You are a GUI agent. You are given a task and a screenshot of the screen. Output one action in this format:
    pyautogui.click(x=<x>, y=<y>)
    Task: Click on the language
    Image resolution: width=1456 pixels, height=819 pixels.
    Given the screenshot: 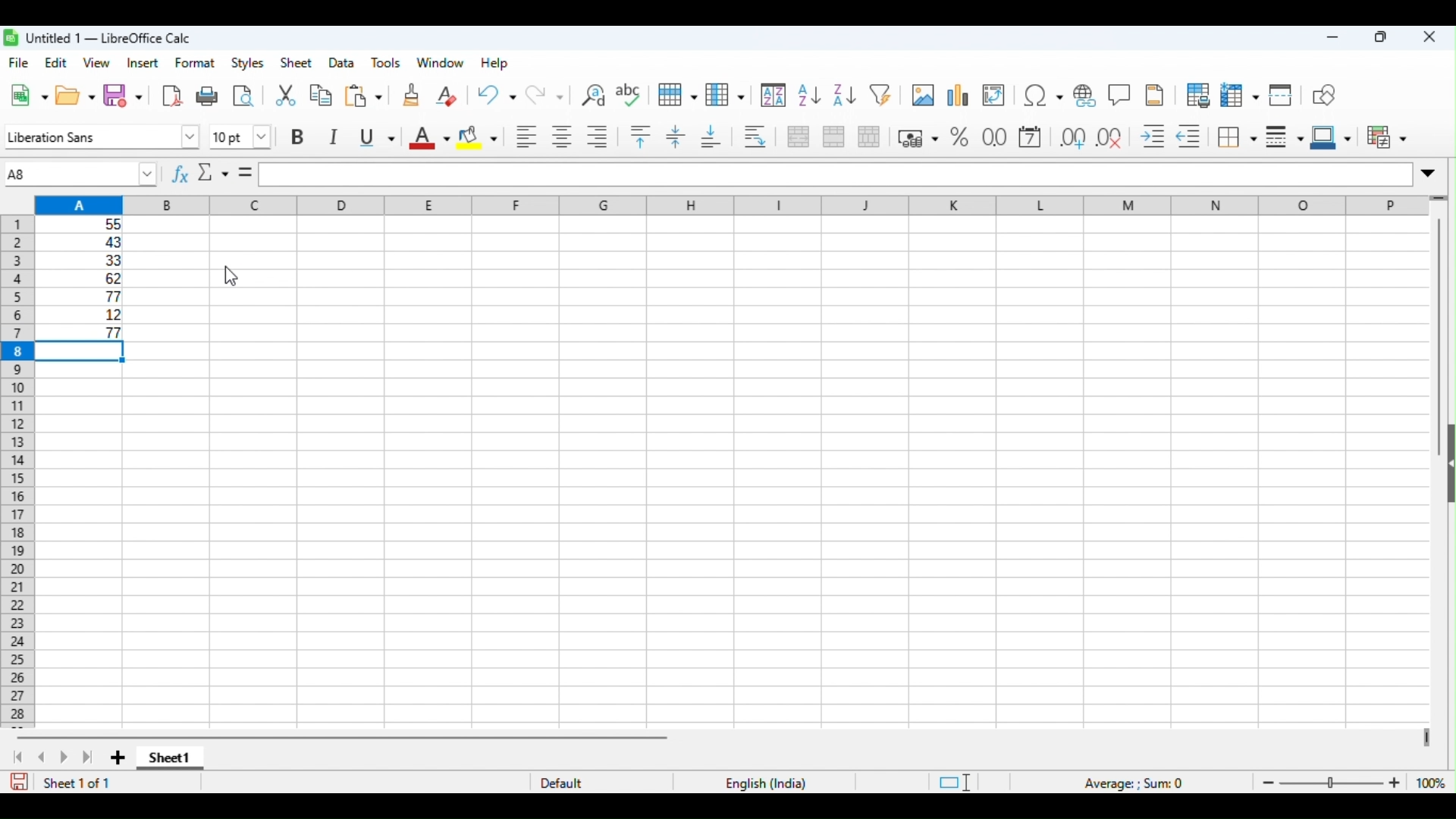 What is the action you would take?
    pyautogui.click(x=764, y=782)
    